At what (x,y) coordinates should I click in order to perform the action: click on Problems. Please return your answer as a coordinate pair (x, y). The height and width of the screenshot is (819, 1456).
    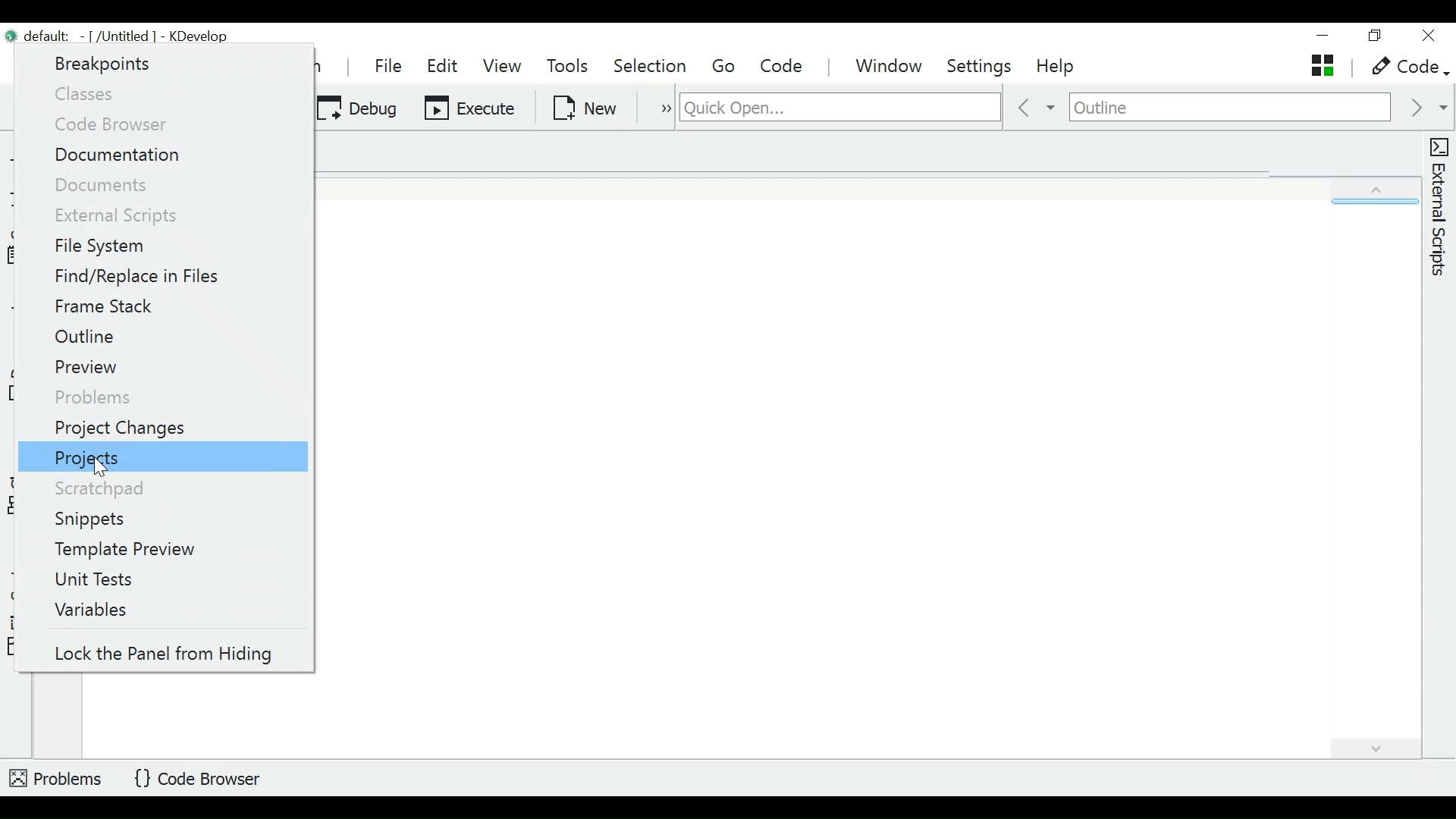
    Looking at the image, I should click on (93, 396).